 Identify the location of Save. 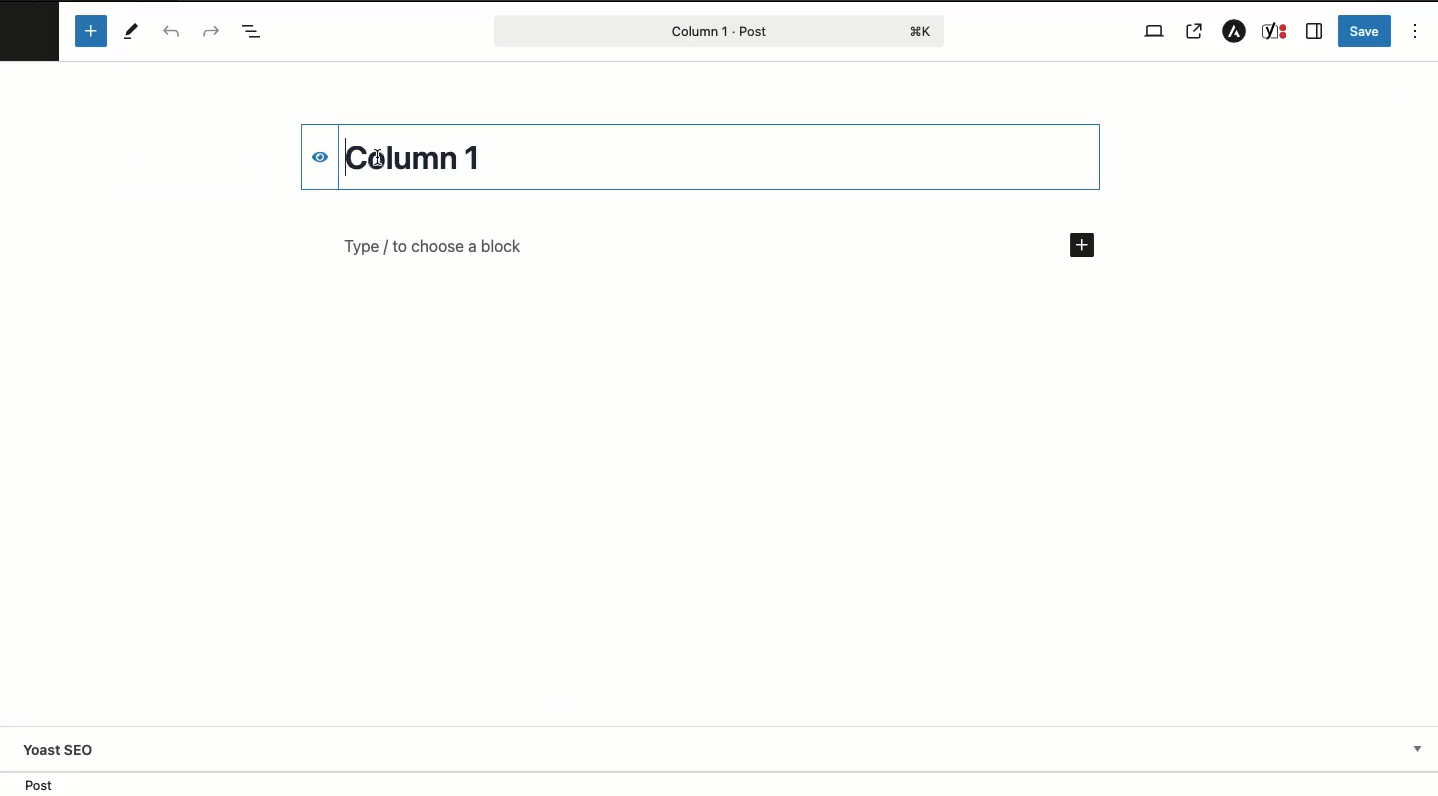
(1365, 30).